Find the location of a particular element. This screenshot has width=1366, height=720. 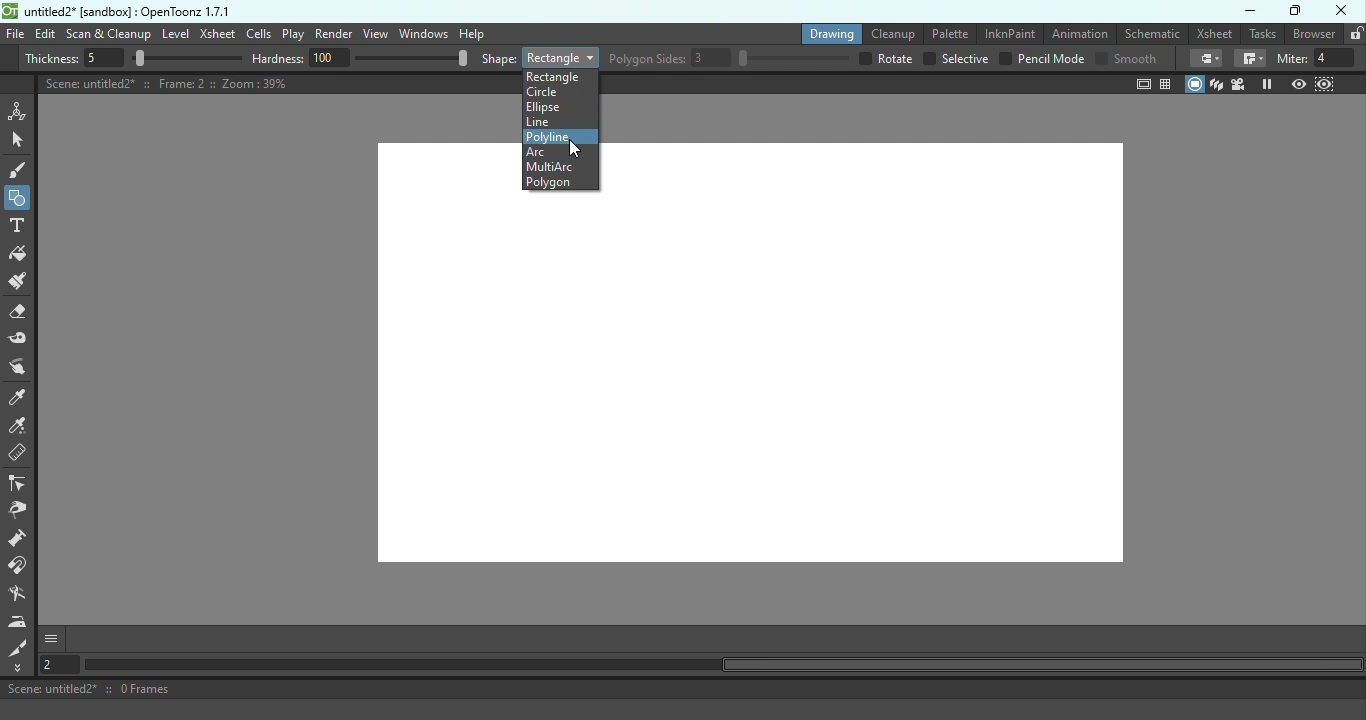

Selective is located at coordinates (956, 59).